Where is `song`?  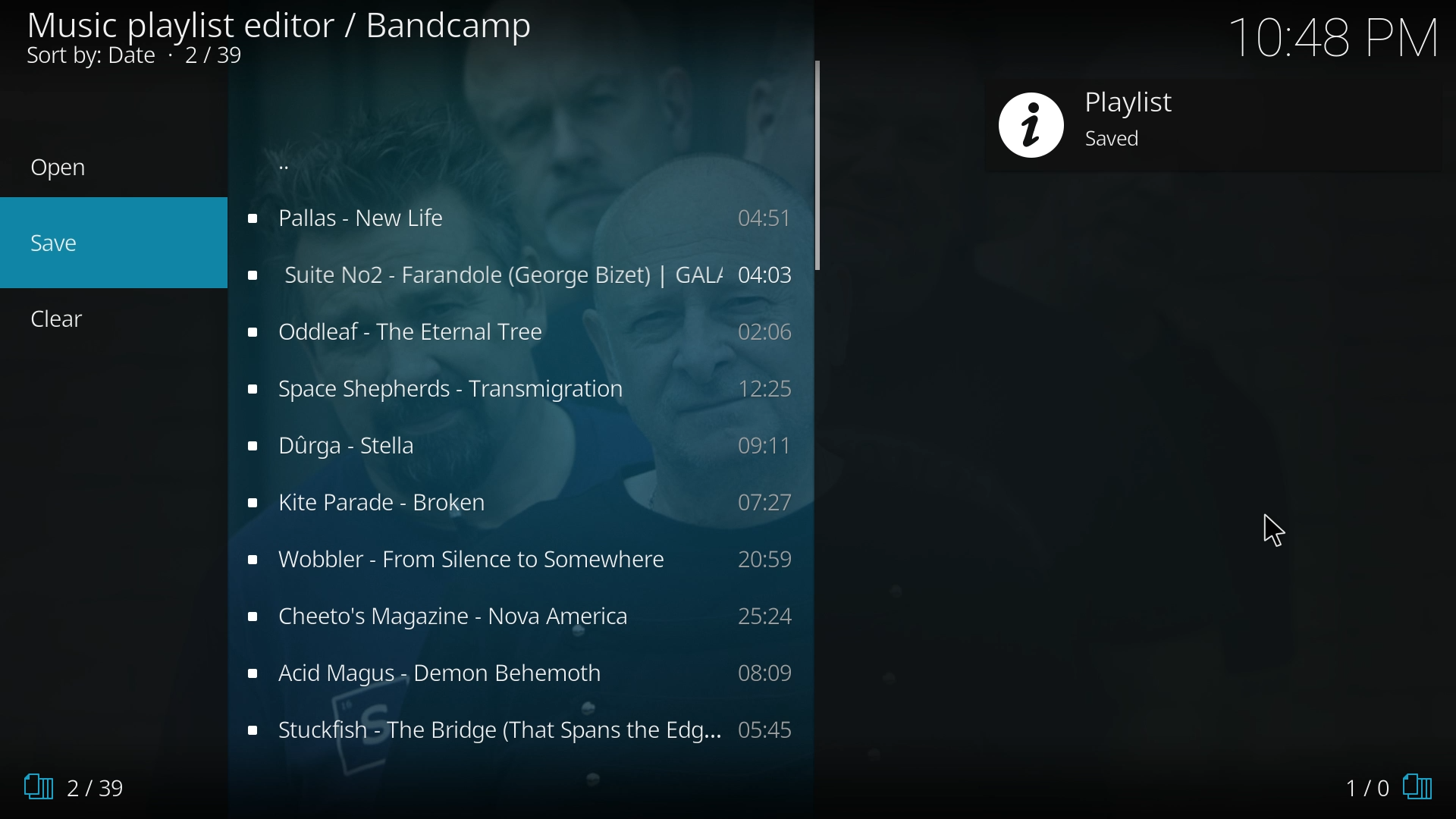 song is located at coordinates (519, 673).